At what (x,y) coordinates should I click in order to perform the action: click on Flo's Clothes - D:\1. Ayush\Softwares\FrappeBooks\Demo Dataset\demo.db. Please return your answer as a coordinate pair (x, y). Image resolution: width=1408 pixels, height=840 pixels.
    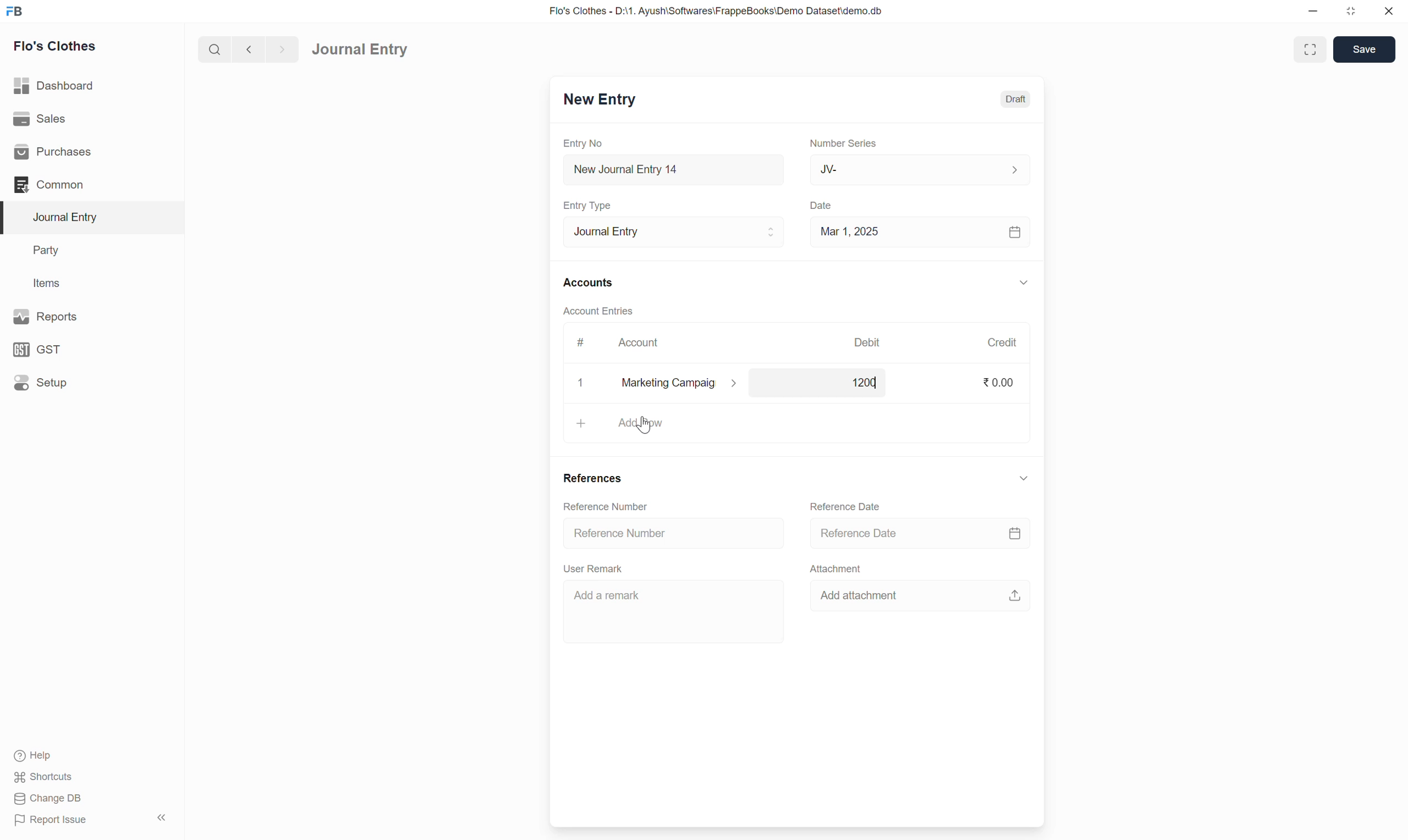
    Looking at the image, I should click on (719, 10).